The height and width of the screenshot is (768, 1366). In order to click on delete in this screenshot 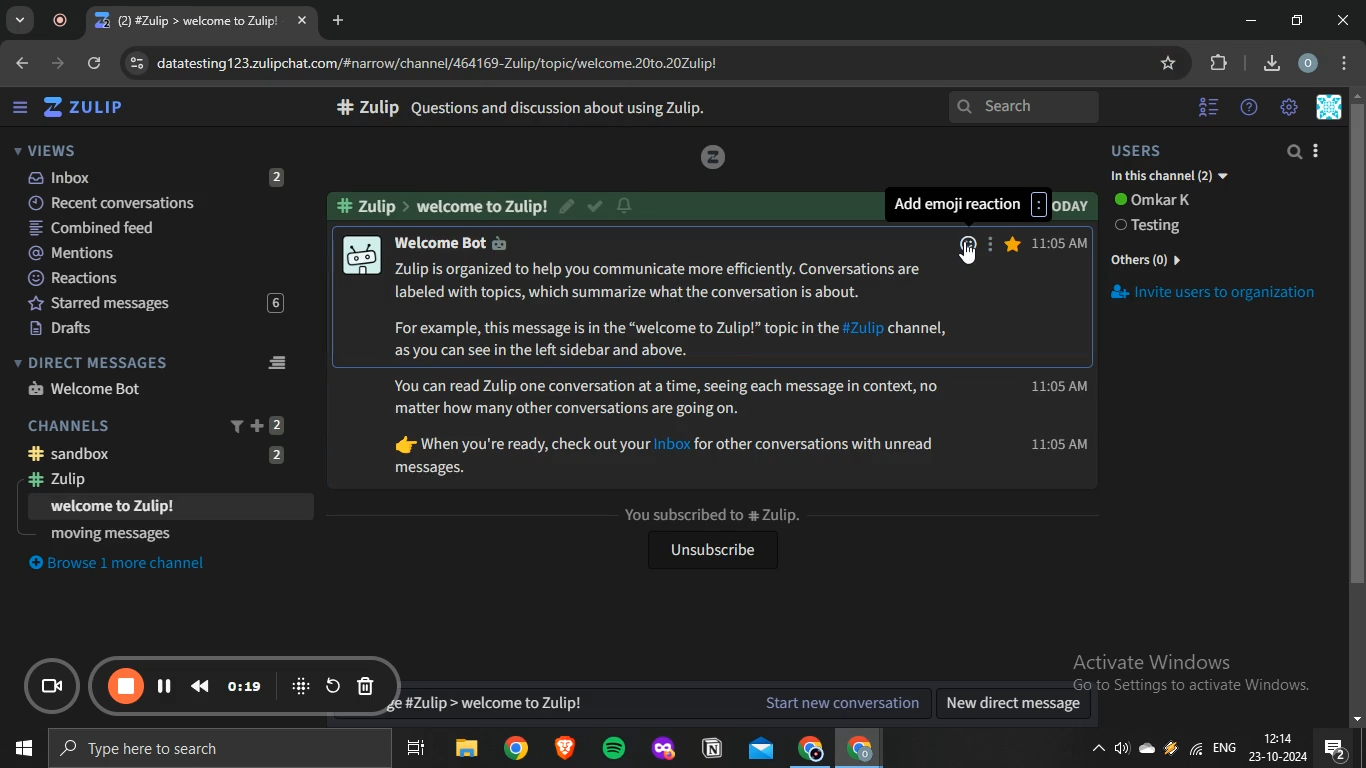, I will do `click(366, 688)`.